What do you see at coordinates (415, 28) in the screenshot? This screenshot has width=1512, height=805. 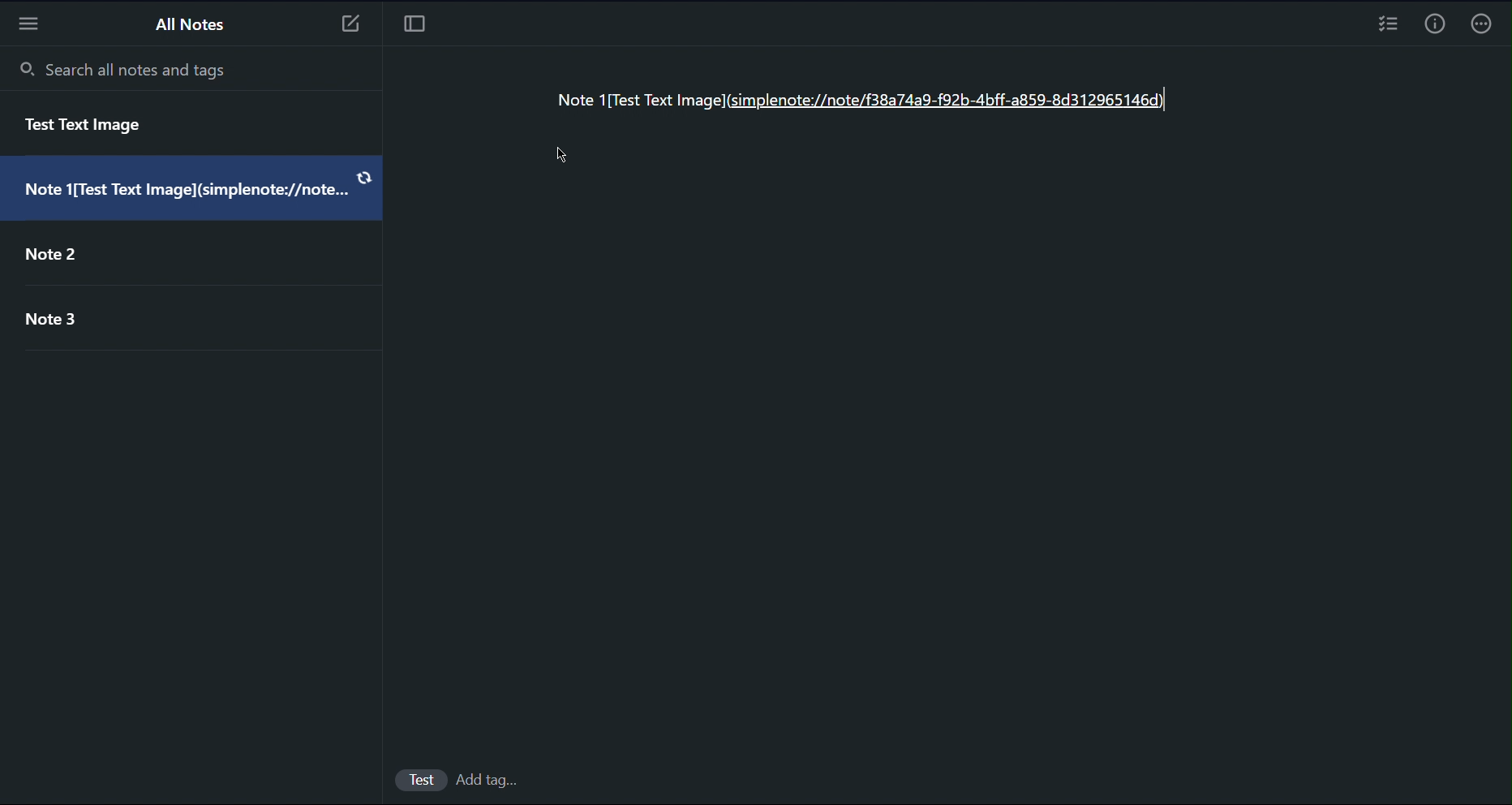 I see `Focus Mode` at bounding box center [415, 28].